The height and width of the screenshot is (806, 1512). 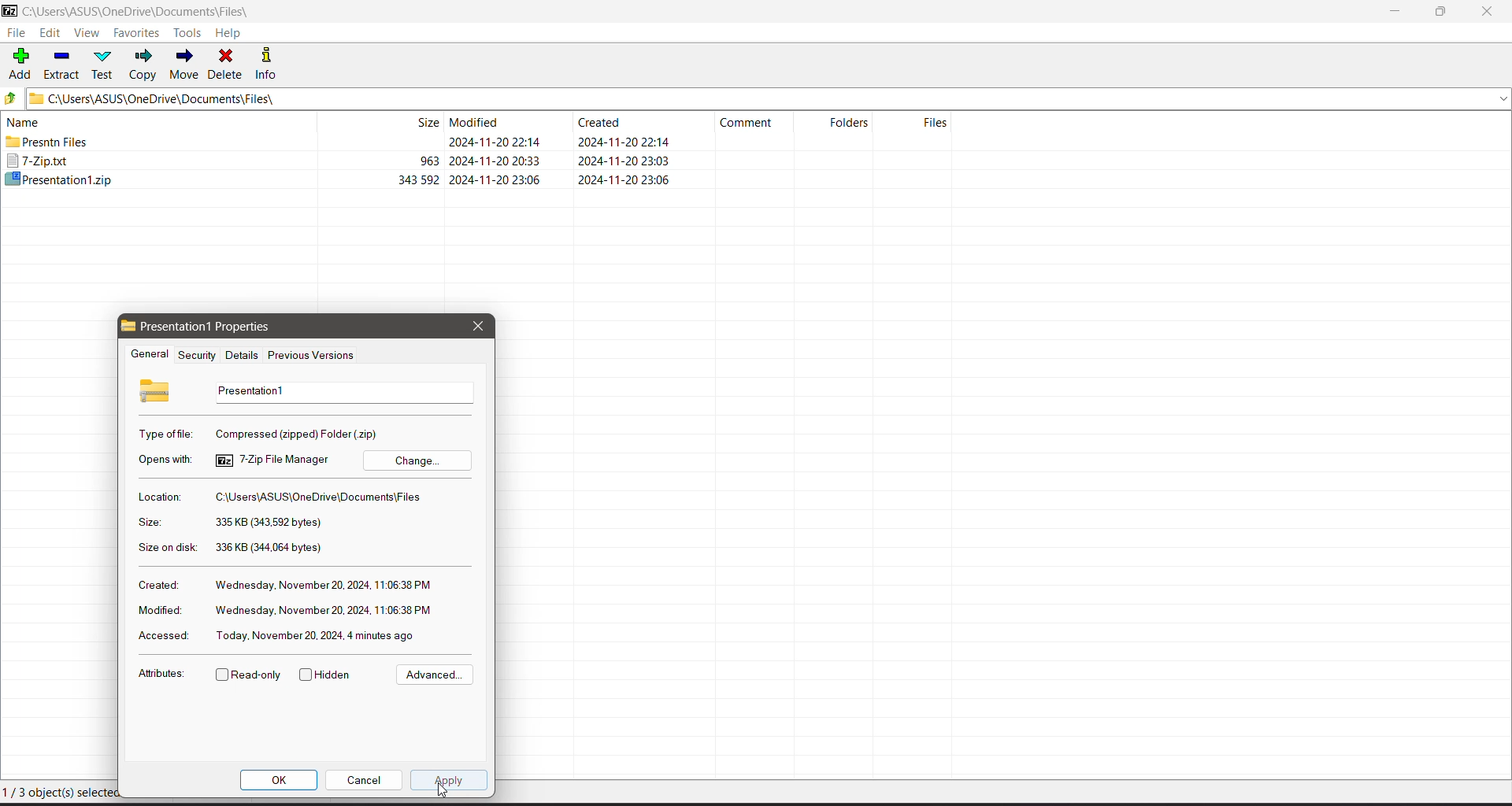 What do you see at coordinates (149, 523) in the screenshot?
I see `Size` at bounding box center [149, 523].